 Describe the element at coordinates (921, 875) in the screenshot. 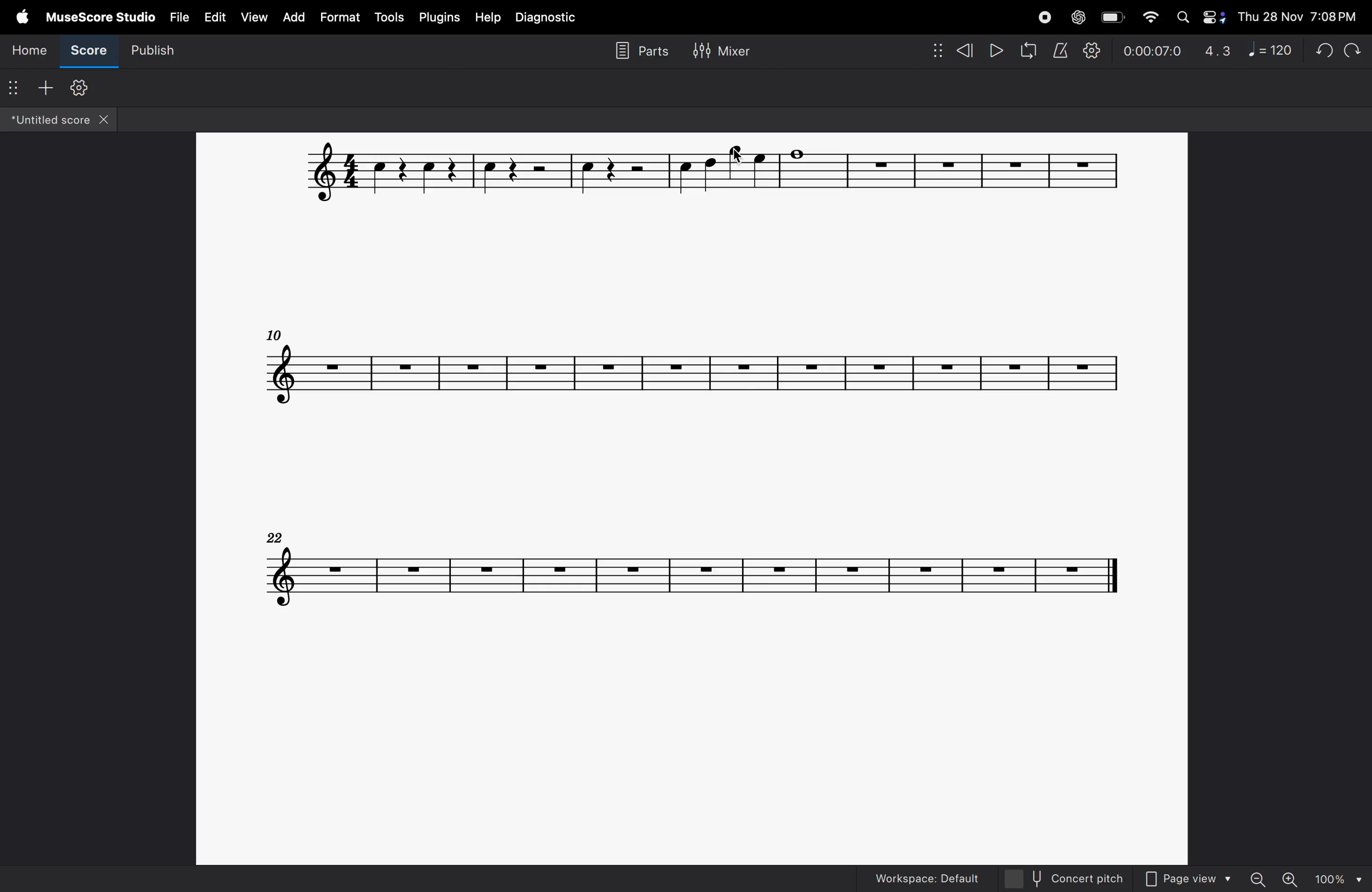

I see `workspaces default` at that location.